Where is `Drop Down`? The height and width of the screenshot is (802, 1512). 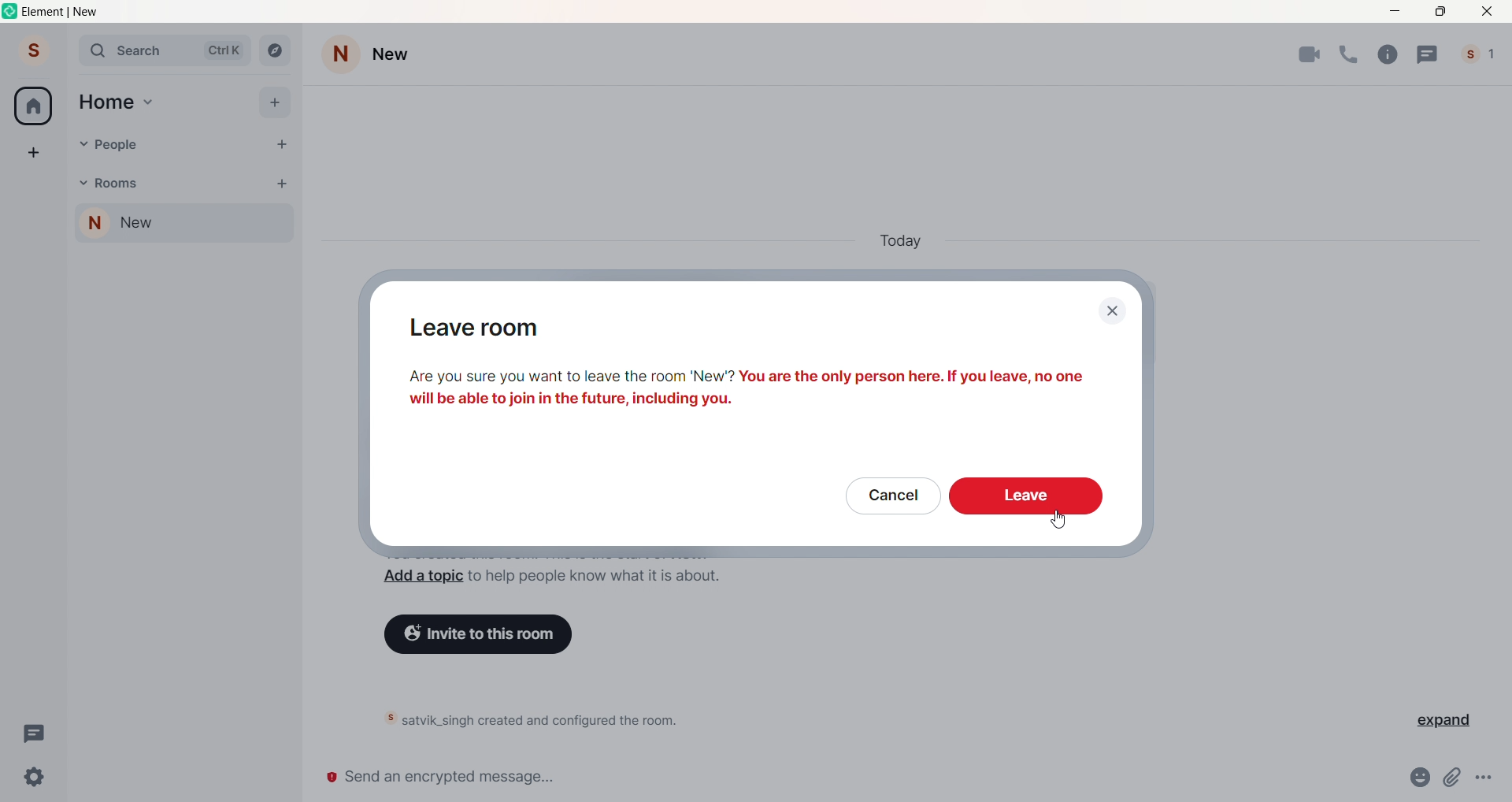
Drop Down is located at coordinates (258, 227).